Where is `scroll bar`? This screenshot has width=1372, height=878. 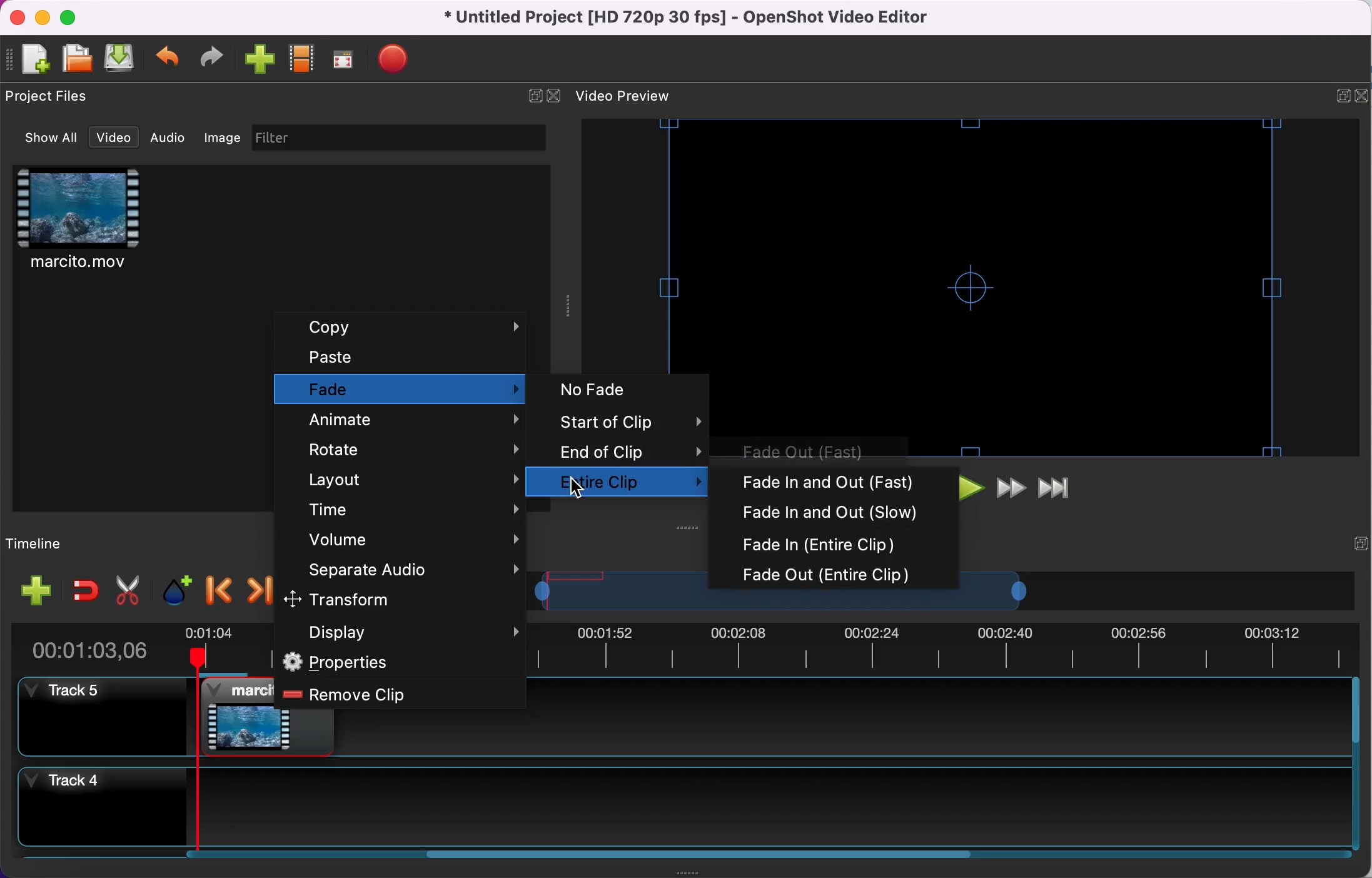
scroll bar is located at coordinates (722, 856).